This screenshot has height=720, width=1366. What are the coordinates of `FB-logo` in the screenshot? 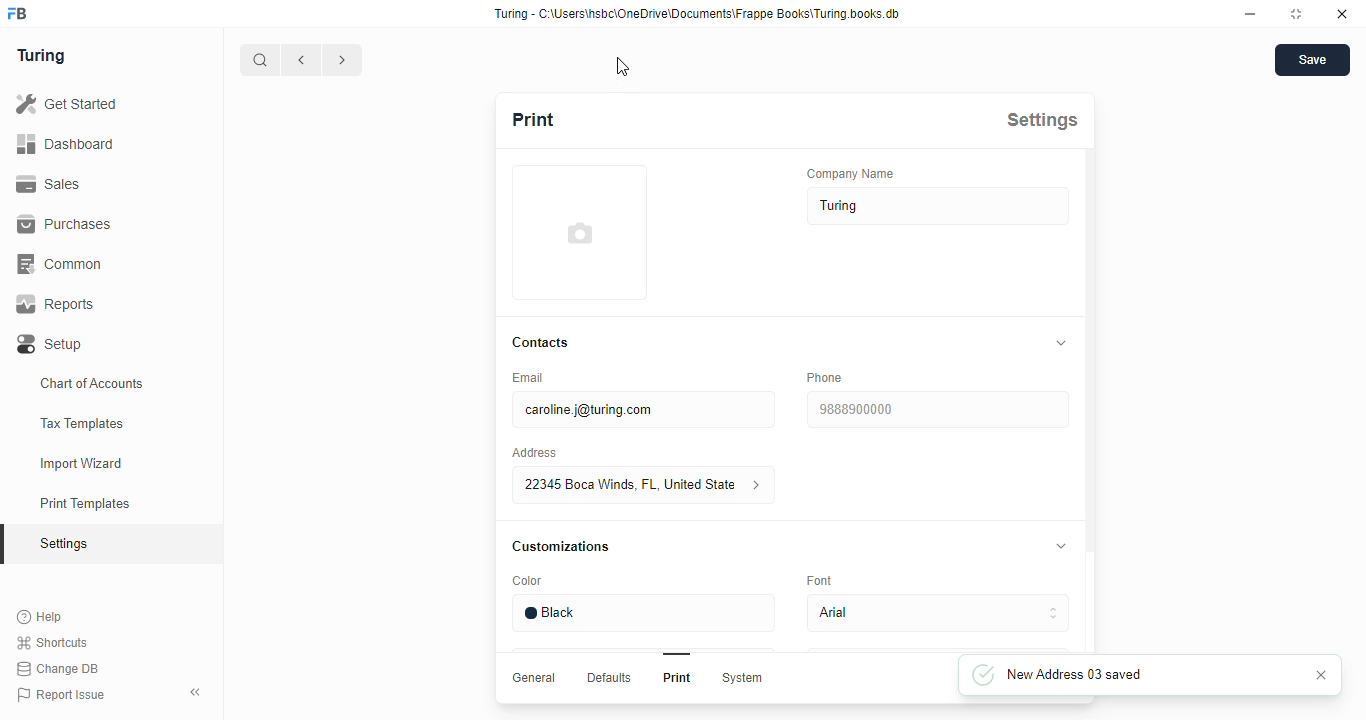 It's located at (17, 13).